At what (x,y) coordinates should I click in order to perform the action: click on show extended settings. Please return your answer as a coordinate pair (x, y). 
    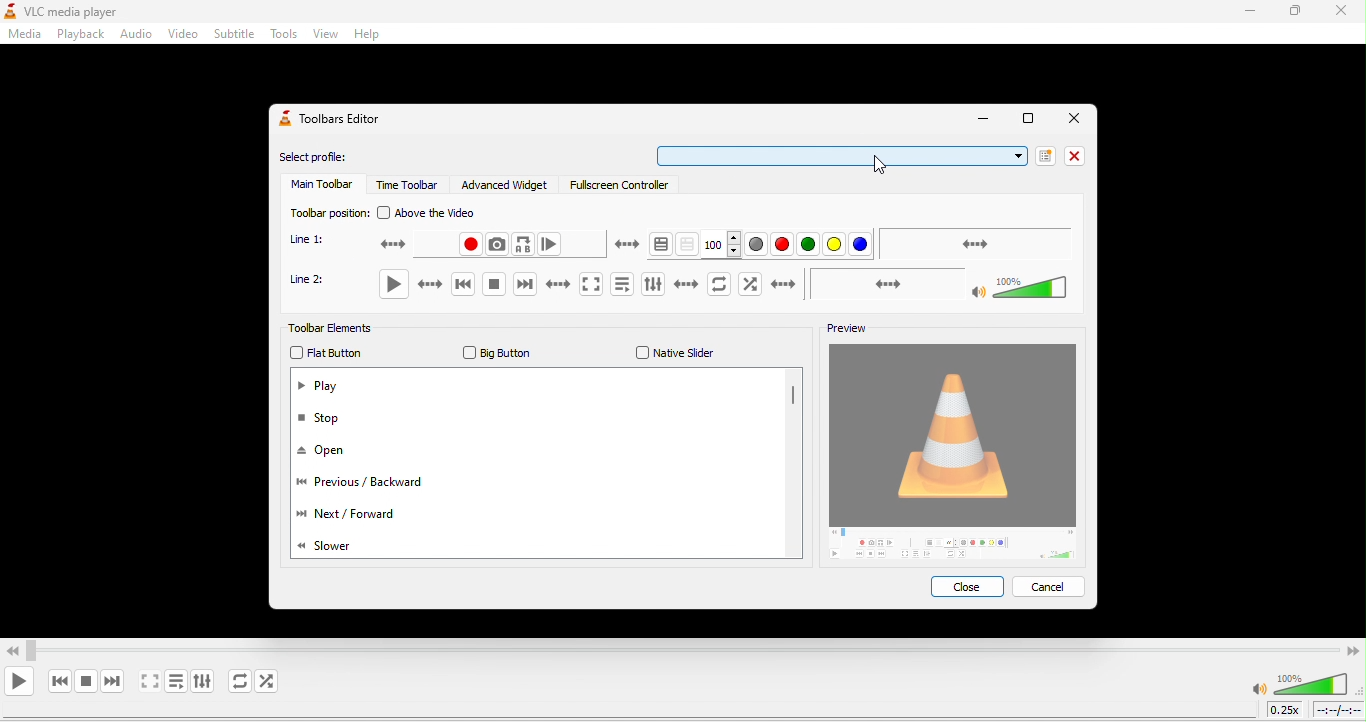
    Looking at the image, I should click on (669, 282).